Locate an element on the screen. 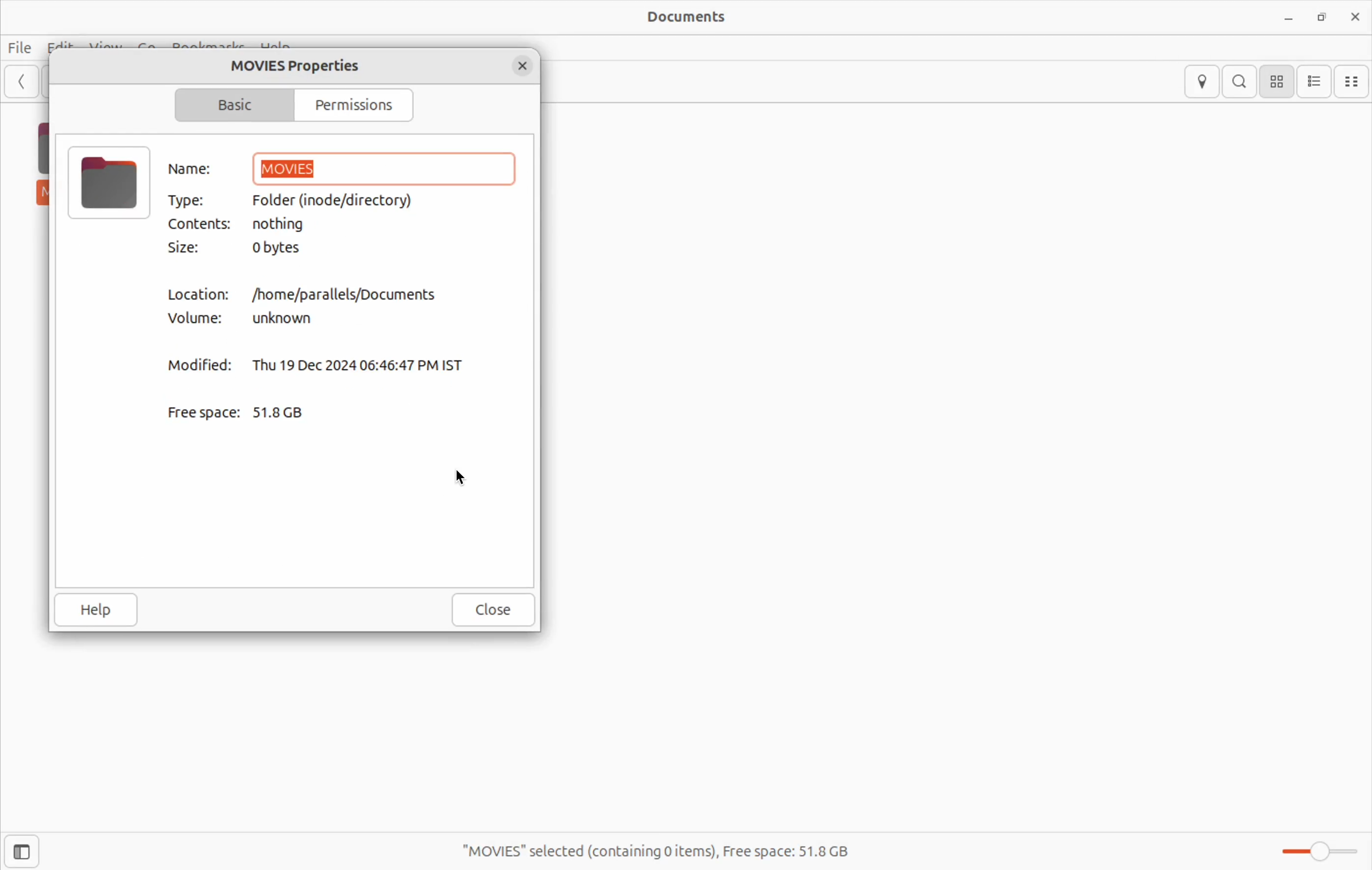 The image size is (1372, 870). modified is located at coordinates (201, 362).